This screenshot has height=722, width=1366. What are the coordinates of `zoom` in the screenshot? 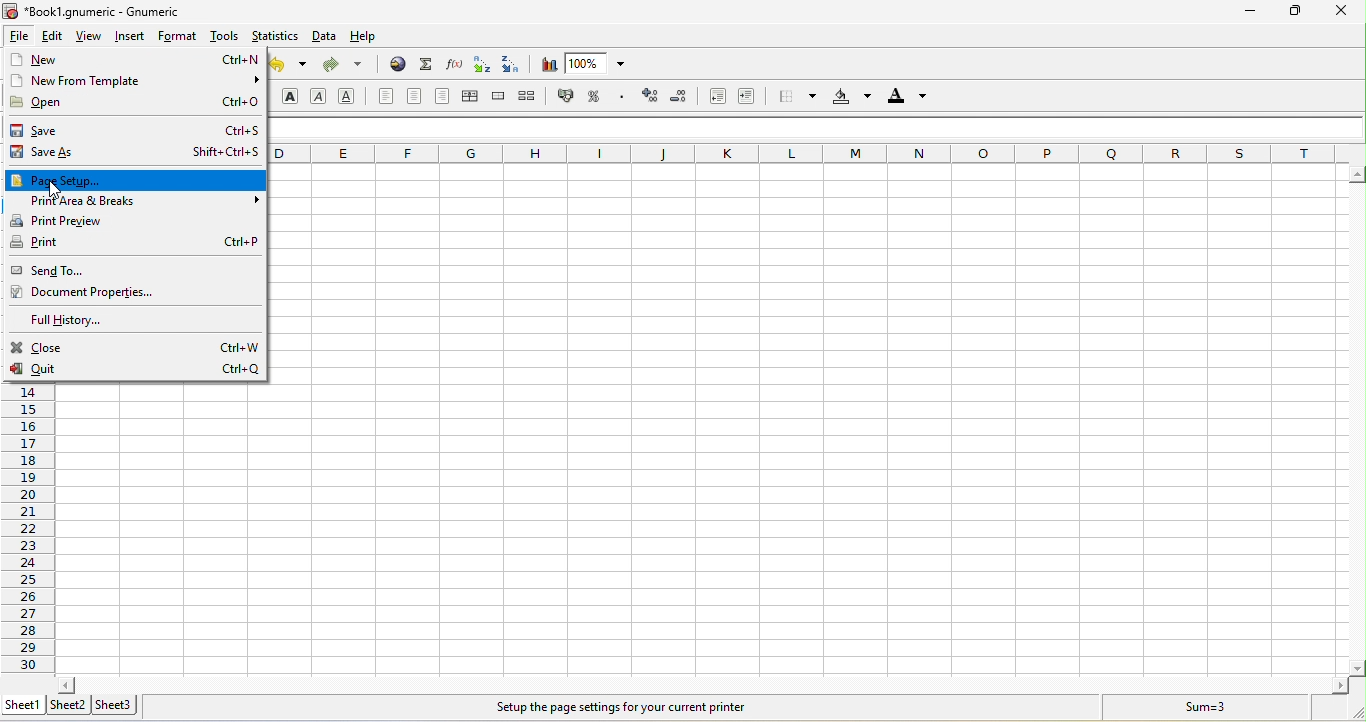 It's located at (602, 64).